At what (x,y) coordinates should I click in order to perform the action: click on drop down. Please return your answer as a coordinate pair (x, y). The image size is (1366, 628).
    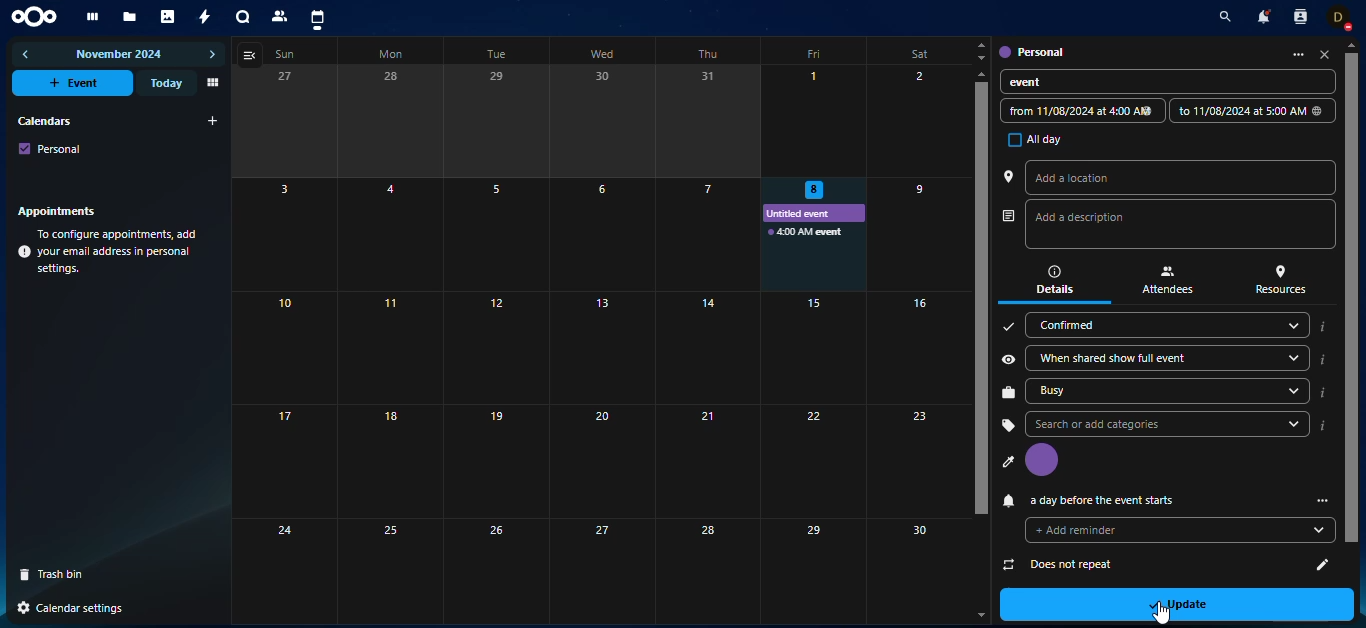
    Looking at the image, I should click on (1291, 325).